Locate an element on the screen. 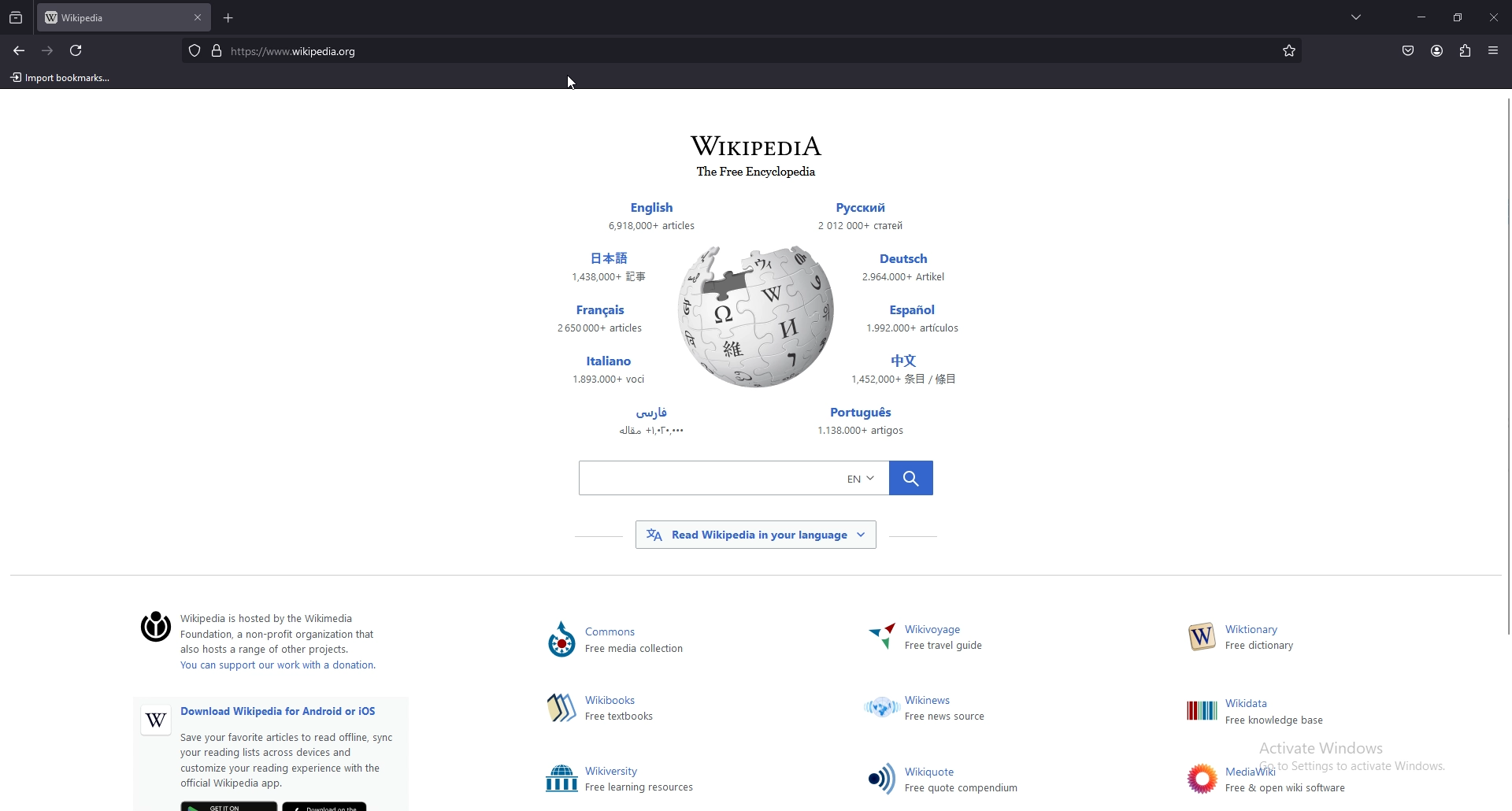 The height and width of the screenshot is (811, 1512).  is located at coordinates (600, 268).